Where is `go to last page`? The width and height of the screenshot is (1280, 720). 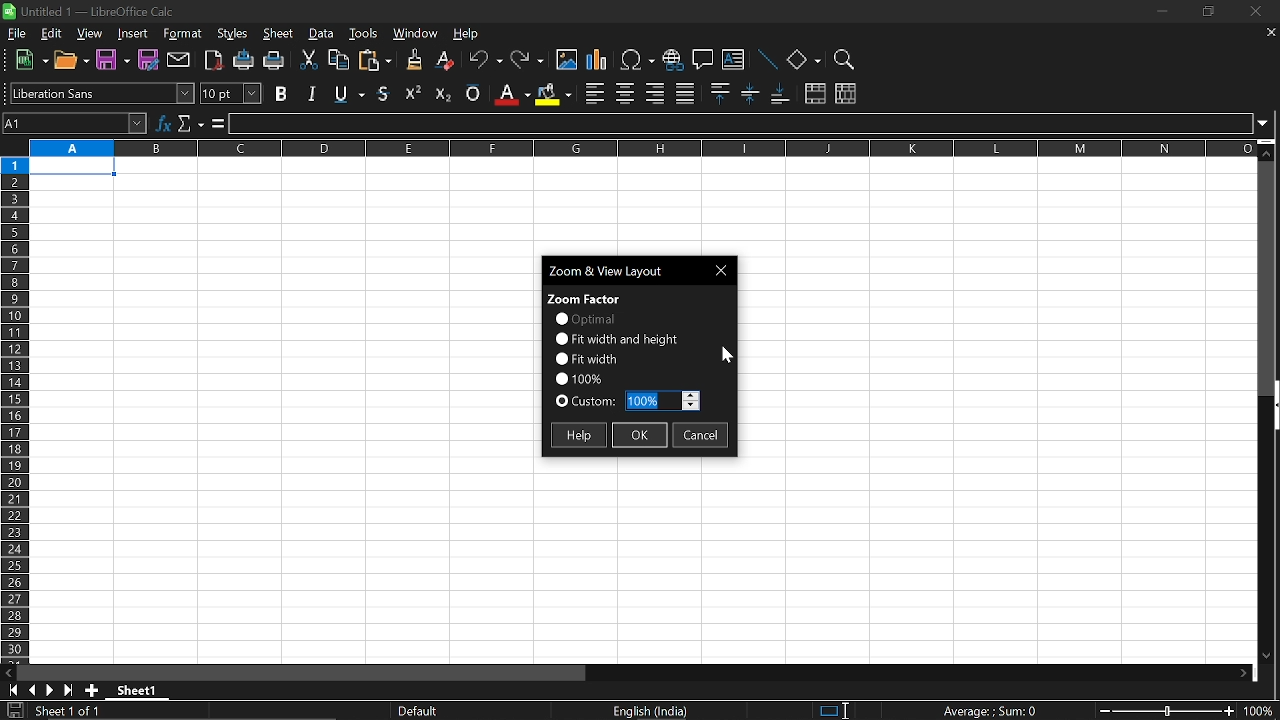 go to last page is located at coordinates (70, 691).